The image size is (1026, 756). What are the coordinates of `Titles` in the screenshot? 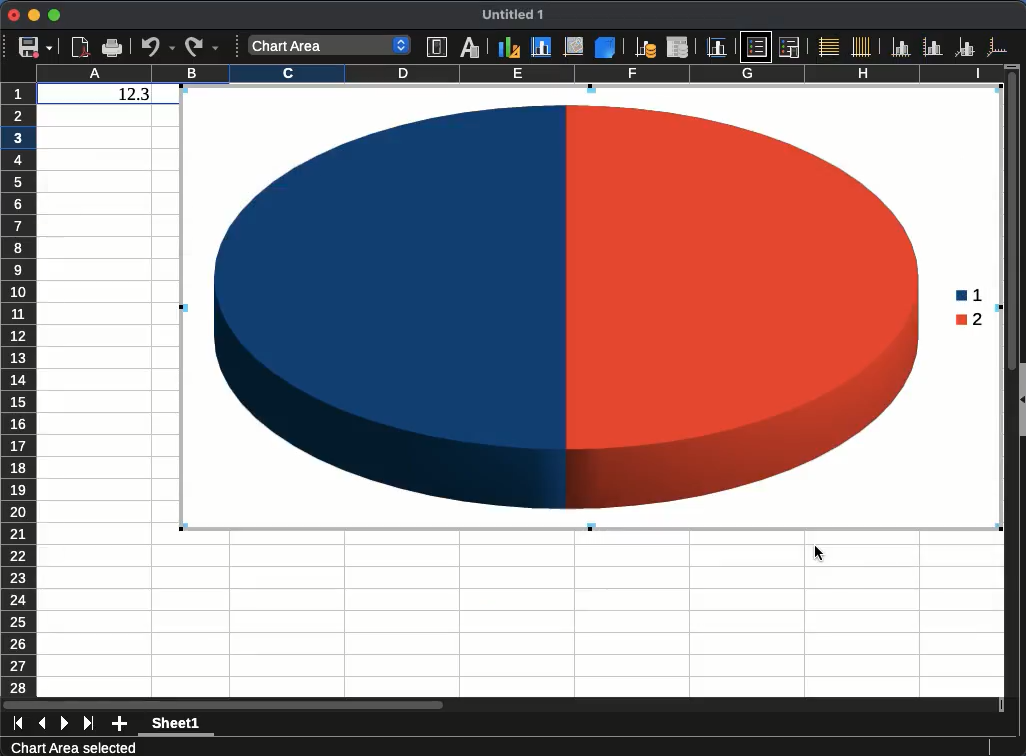 It's located at (716, 47).